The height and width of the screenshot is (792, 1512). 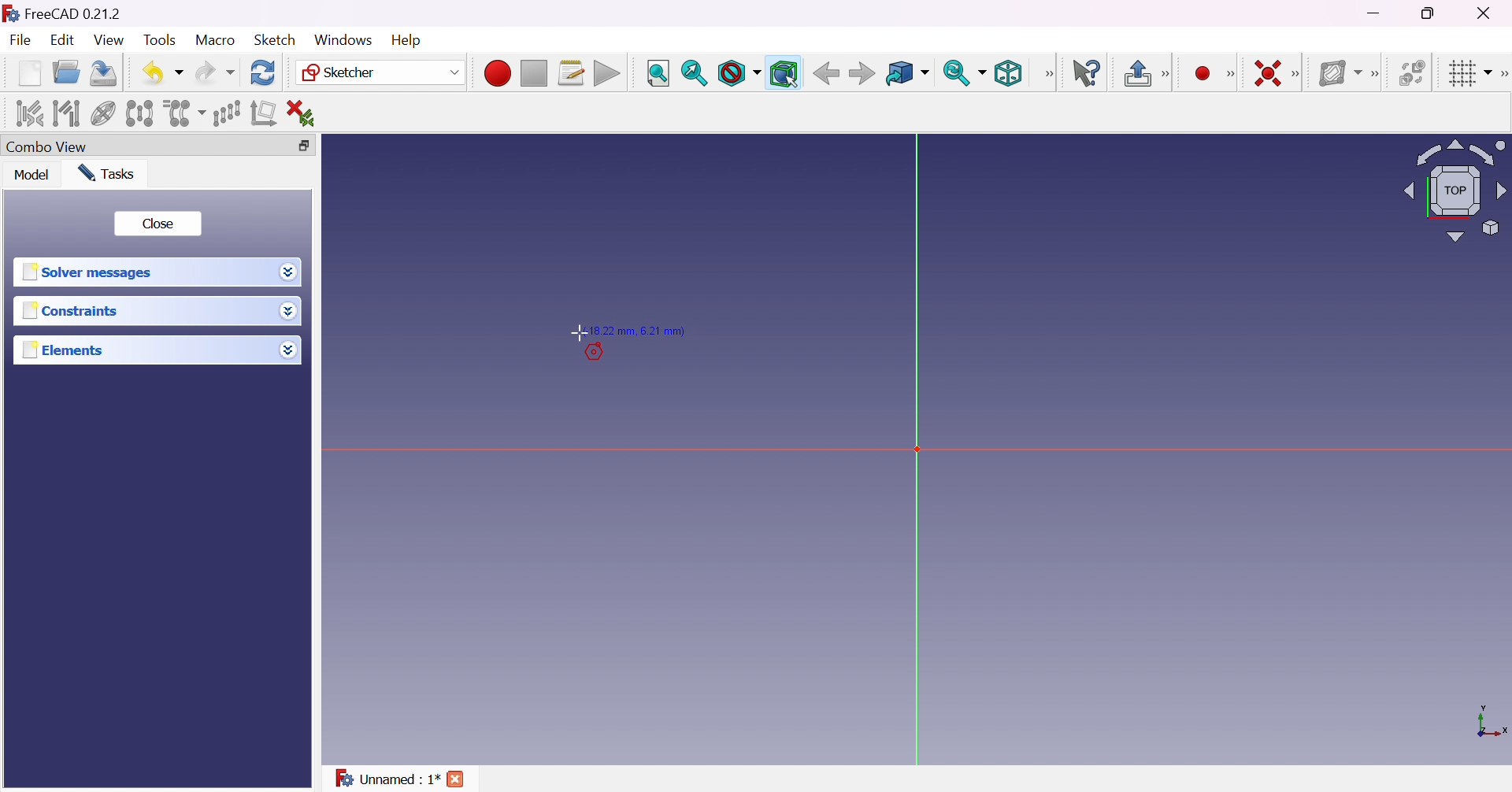 I want to click on Minimize, so click(x=1376, y=13).